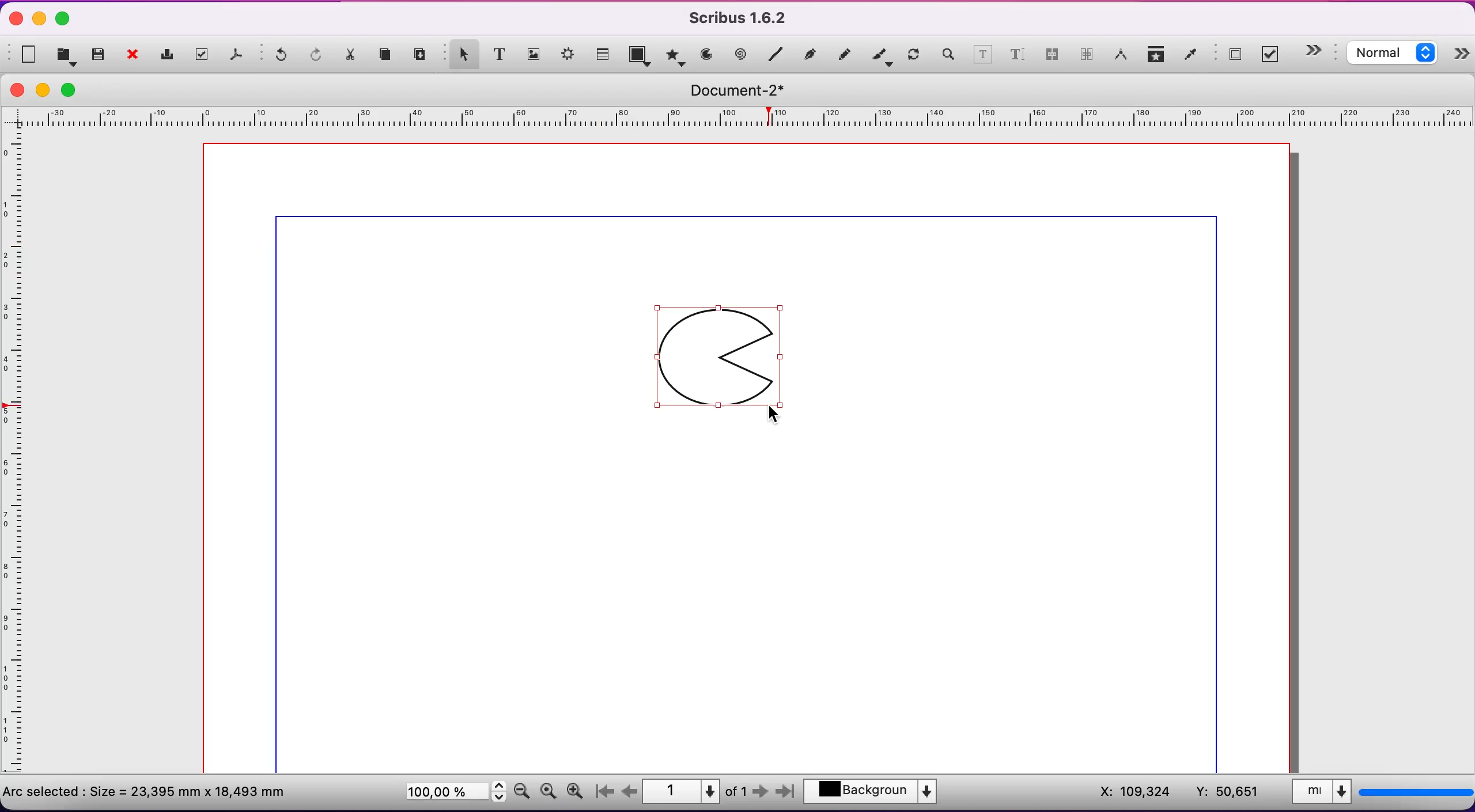  Describe the element at coordinates (1380, 794) in the screenshot. I see `measurement selected` at that location.